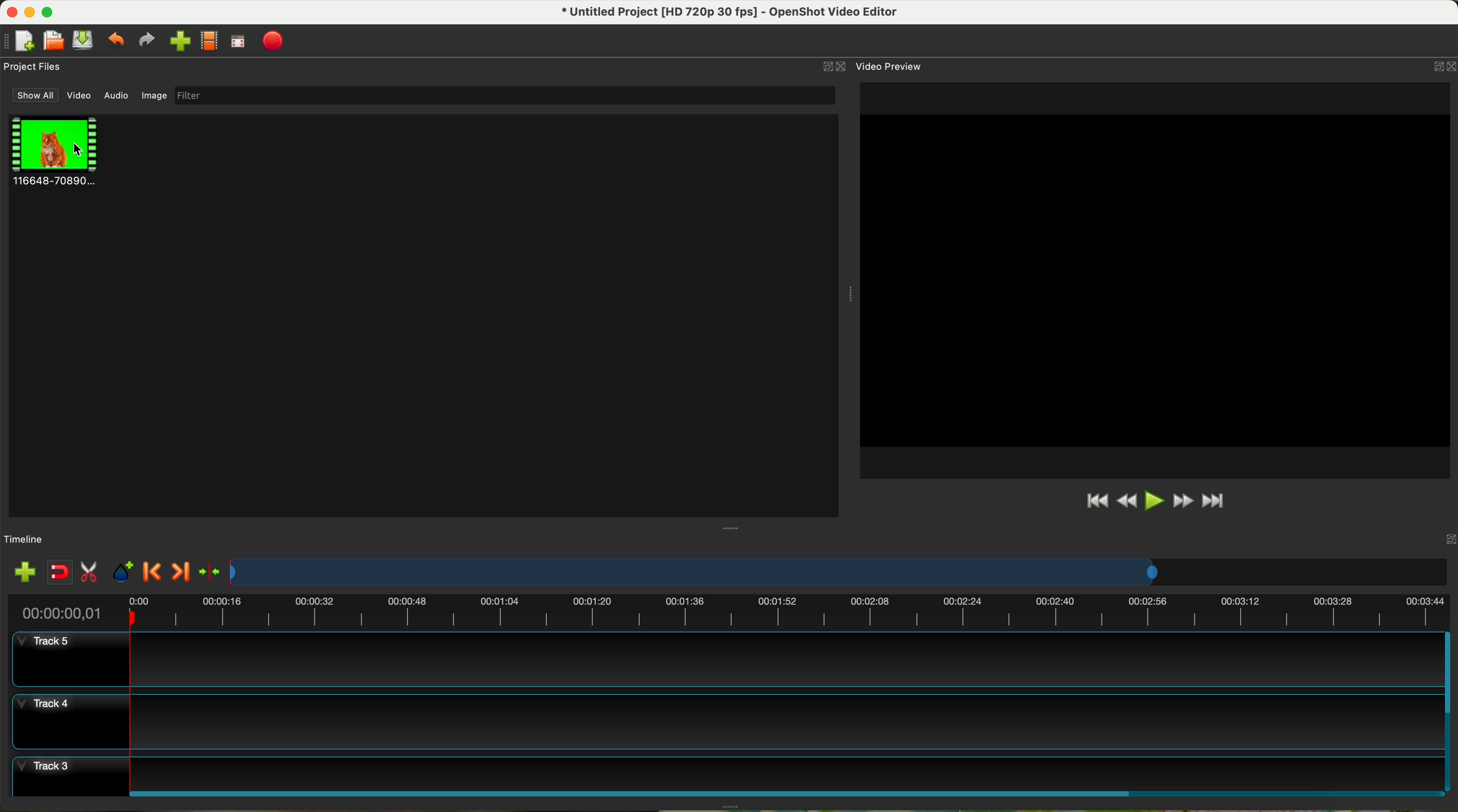  Describe the element at coordinates (89, 573) in the screenshot. I see `enable razor` at that location.